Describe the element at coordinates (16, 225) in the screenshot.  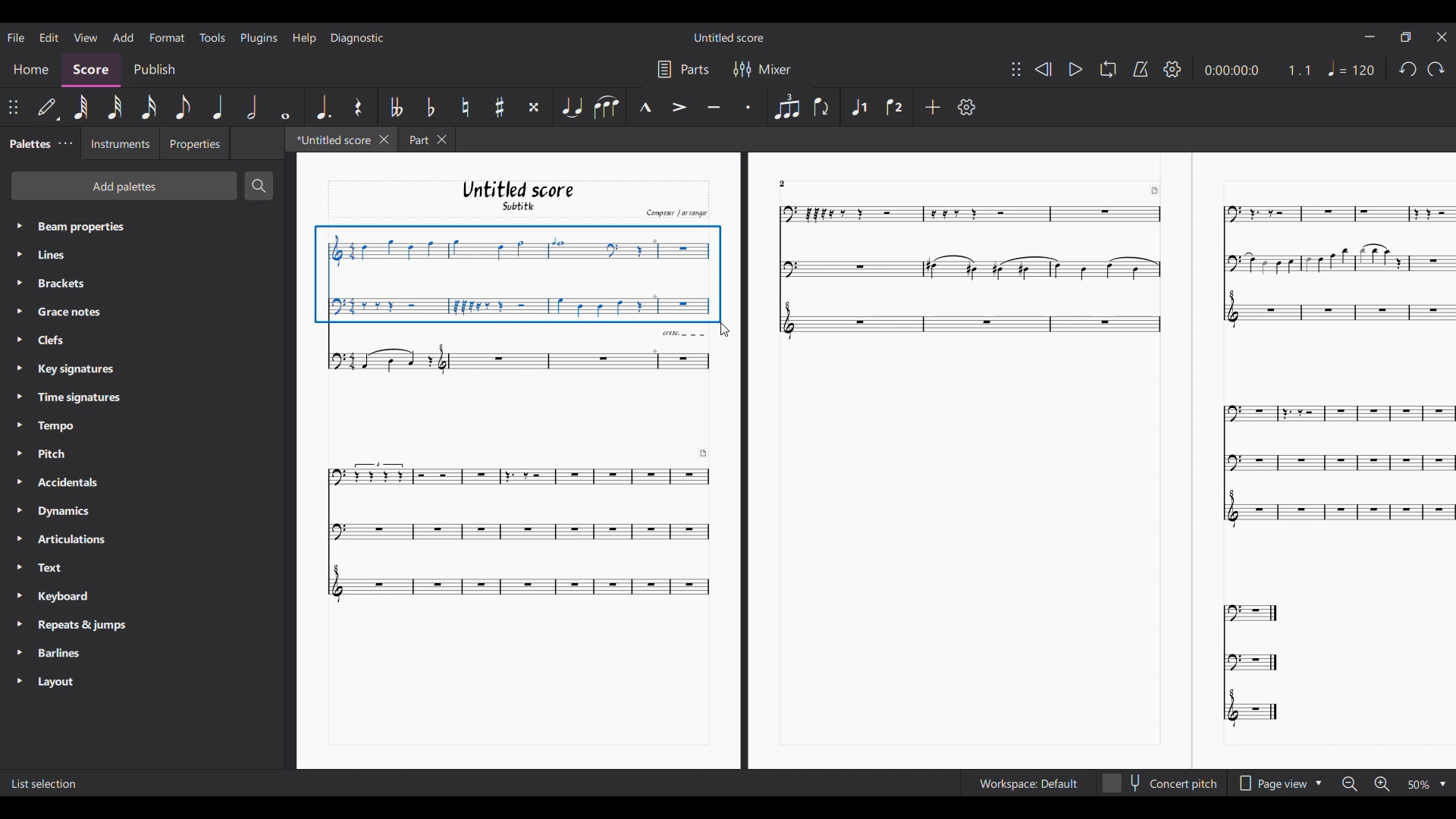
I see `` at that location.